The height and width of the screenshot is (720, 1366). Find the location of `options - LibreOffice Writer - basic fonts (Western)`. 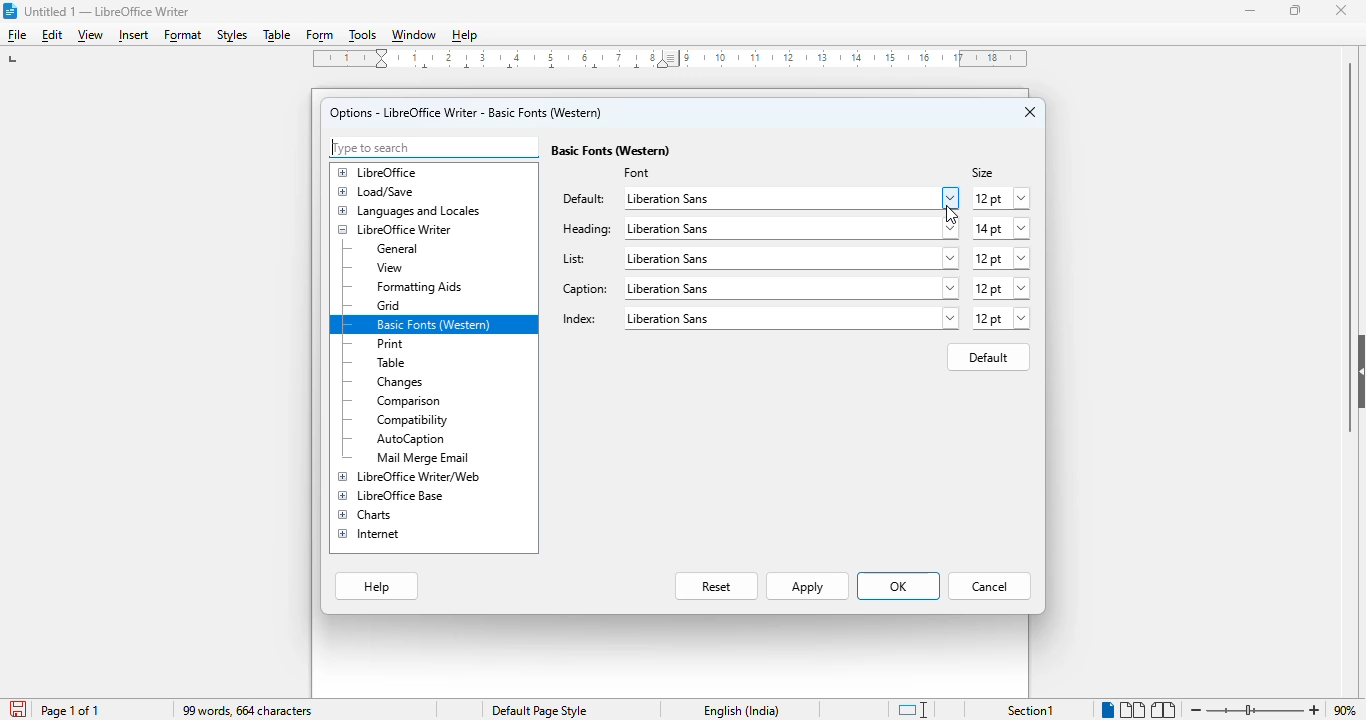

options - LibreOffice Writer - basic fonts (Western) is located at coordinates (467, 112).